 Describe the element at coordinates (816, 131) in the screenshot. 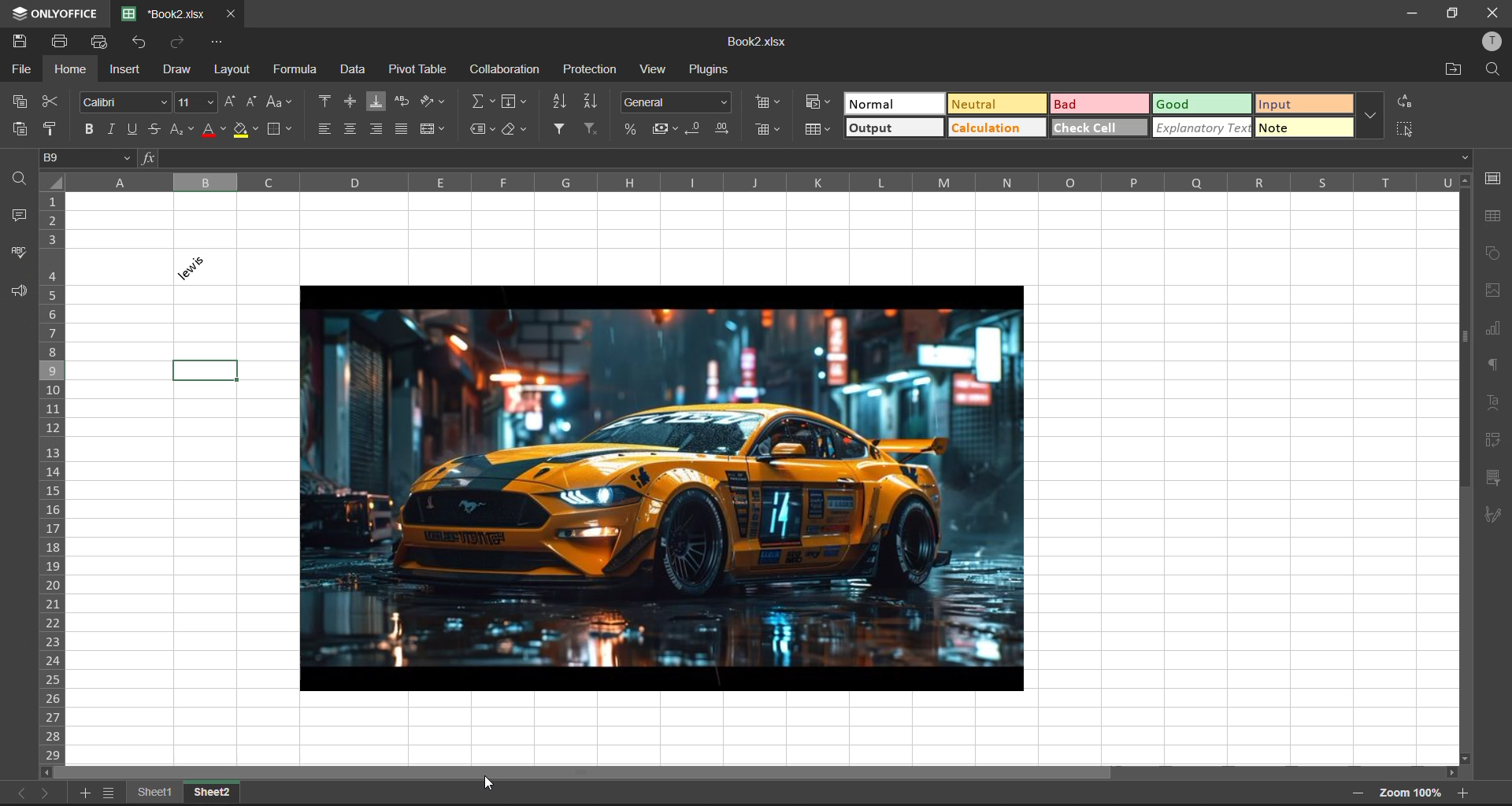

I see `format as a table` at that location.